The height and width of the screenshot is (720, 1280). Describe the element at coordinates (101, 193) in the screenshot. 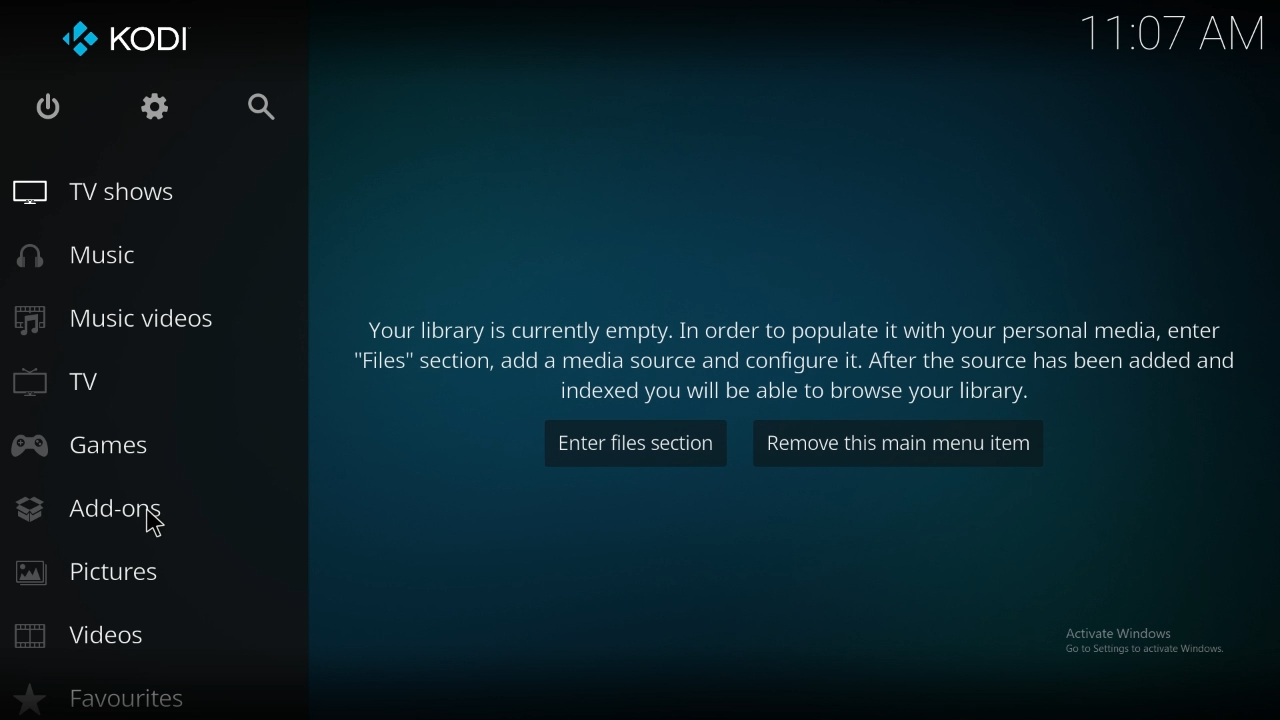

I see `tv shows` at that location.